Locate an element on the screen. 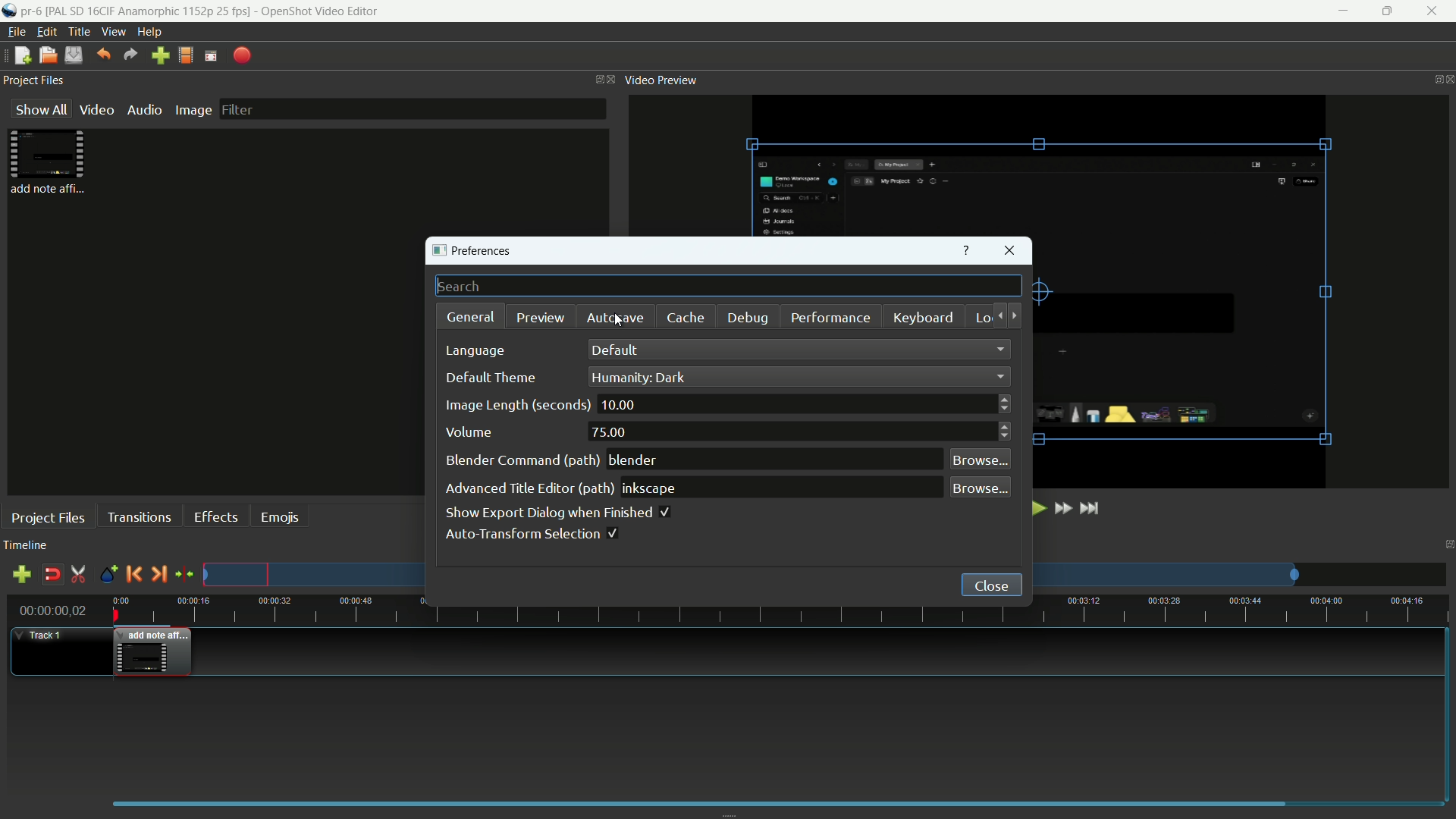 This screenshot has height=819, width=1456. close app is located at coordinates (1433, 11).